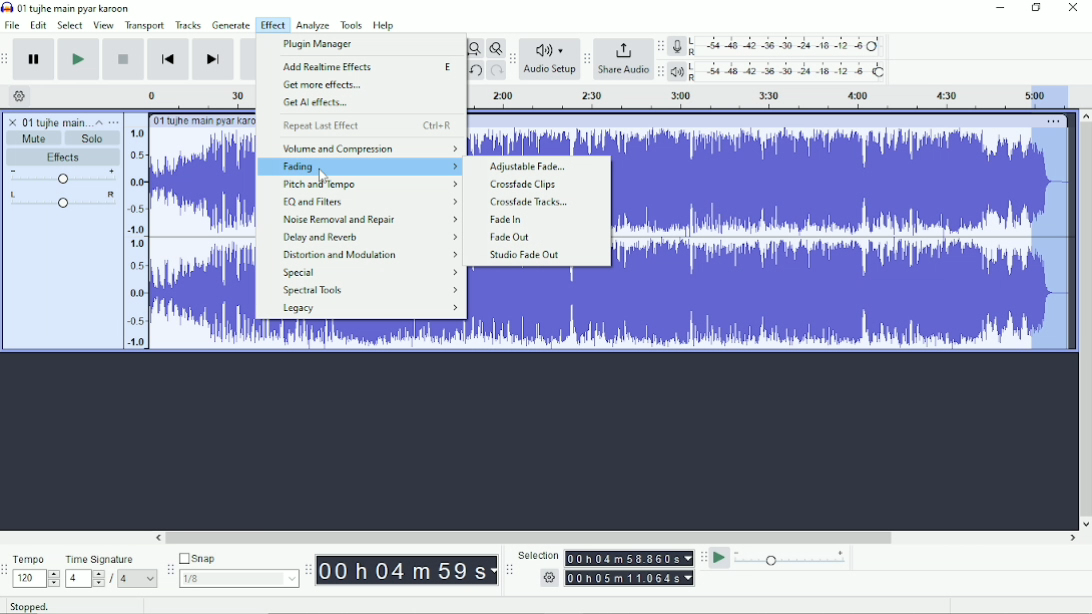 The height and width of the screenshot is (614, 1092). What do you see at coordinates (371, 291) in the screenshot?
I see `Spectral Tools` at bounding box center [371, 291].